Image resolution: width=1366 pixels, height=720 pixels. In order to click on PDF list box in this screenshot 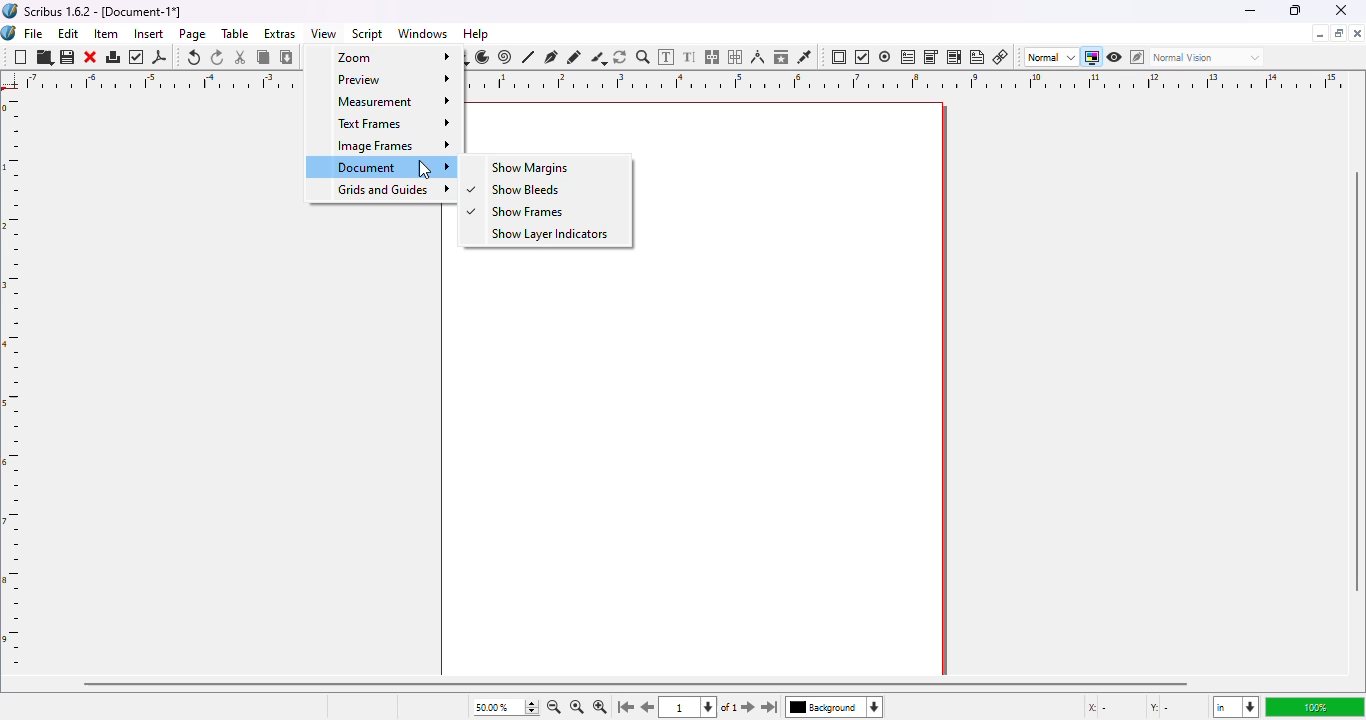, I will do `click(954, 57)`.